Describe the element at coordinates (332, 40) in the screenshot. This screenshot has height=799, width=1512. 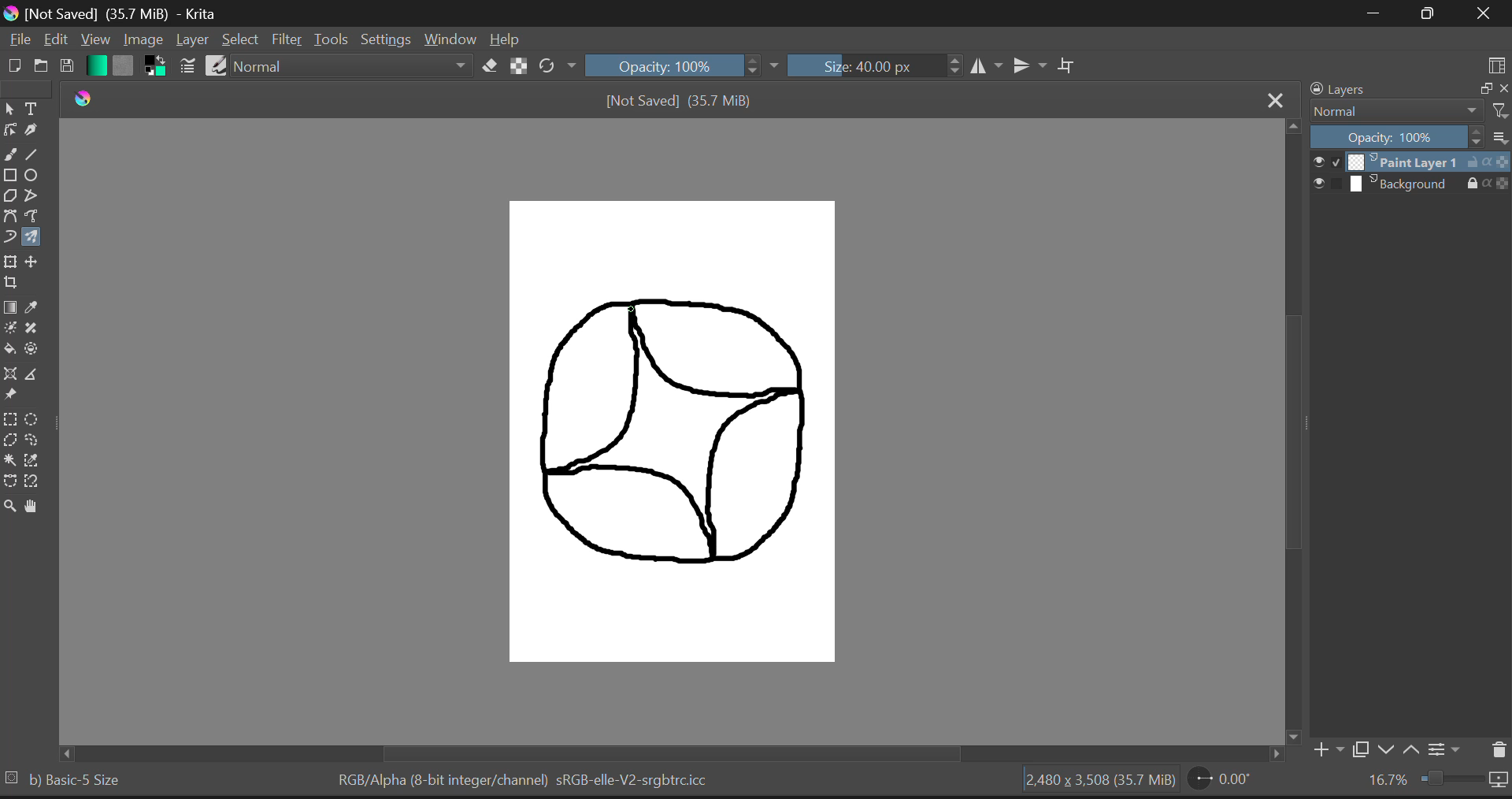
I see `Tools` at that location.